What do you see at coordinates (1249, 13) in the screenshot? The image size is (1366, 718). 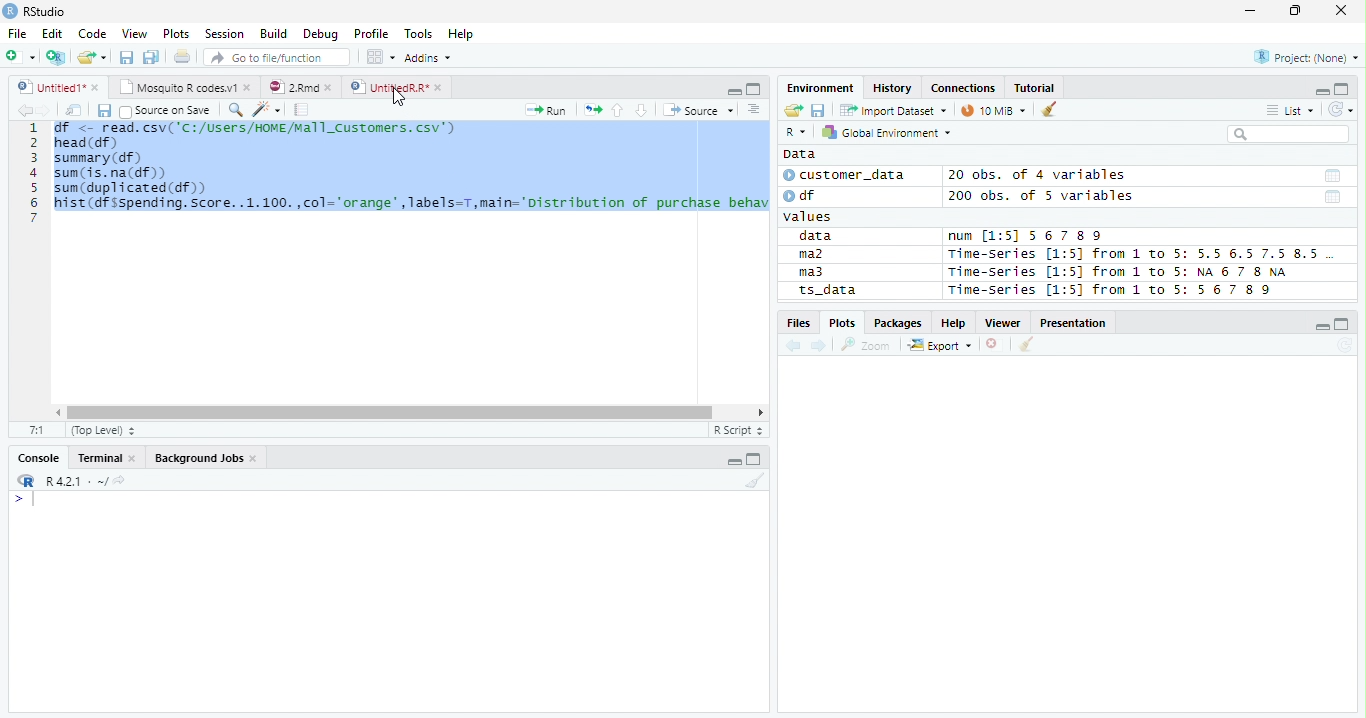 I see `Minimize` at bounding box center [1249, 13].